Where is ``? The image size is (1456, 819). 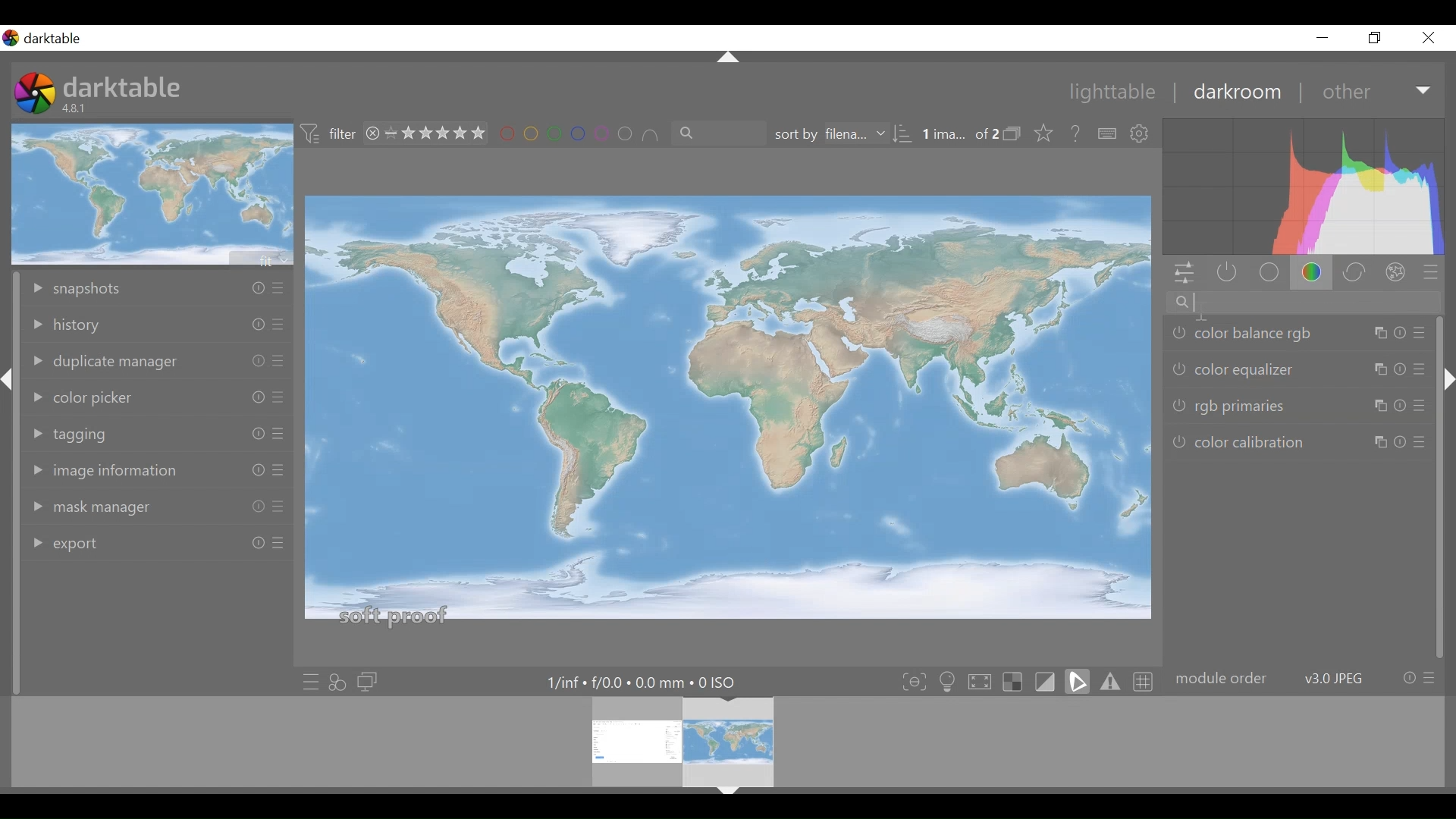
 is located at coordinates (1446, 394).